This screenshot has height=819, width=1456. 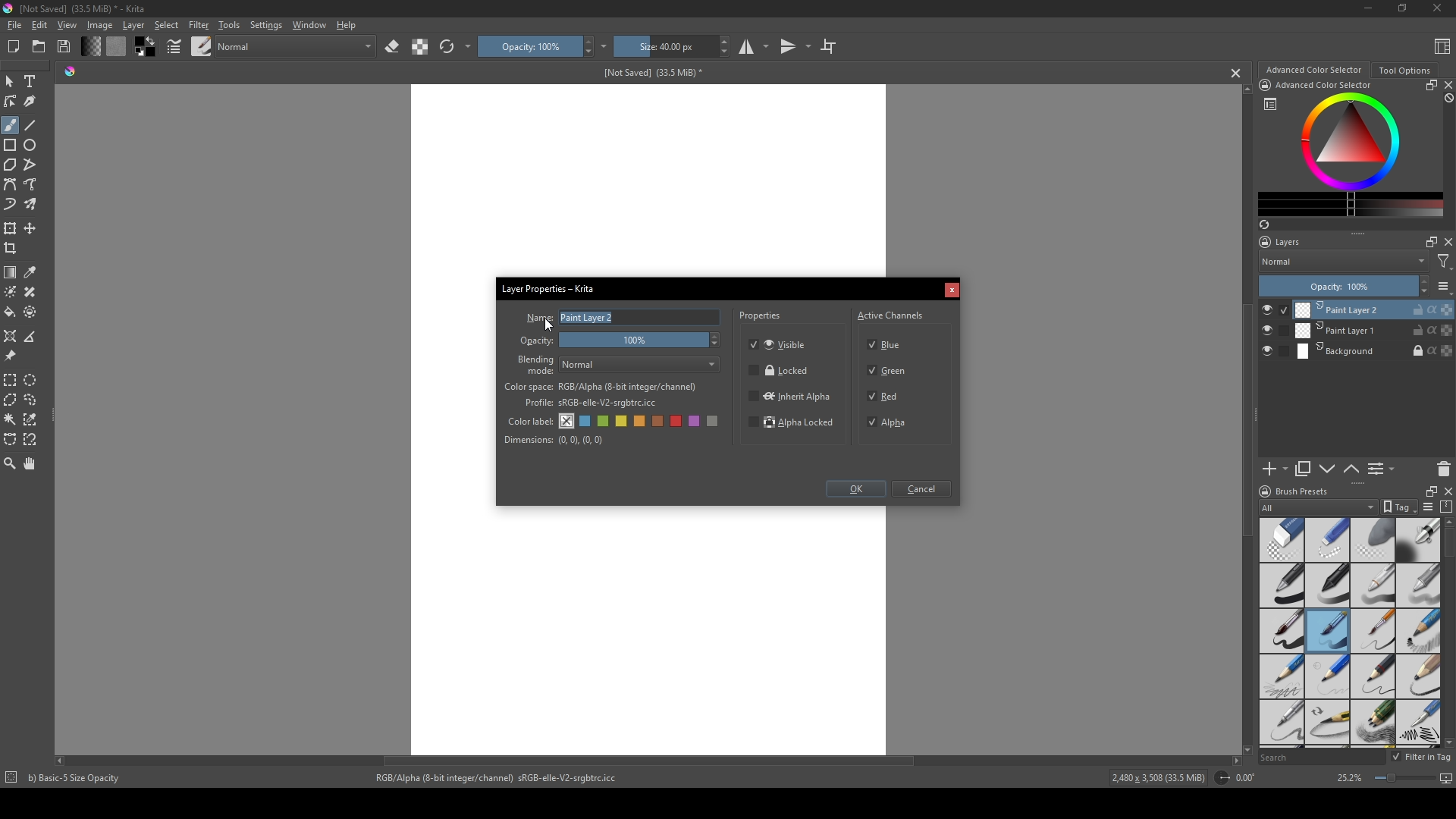 What do you see at coordinates (1444, 286) in the screenshot?
I see `list` at bounding box center [1444, 286].